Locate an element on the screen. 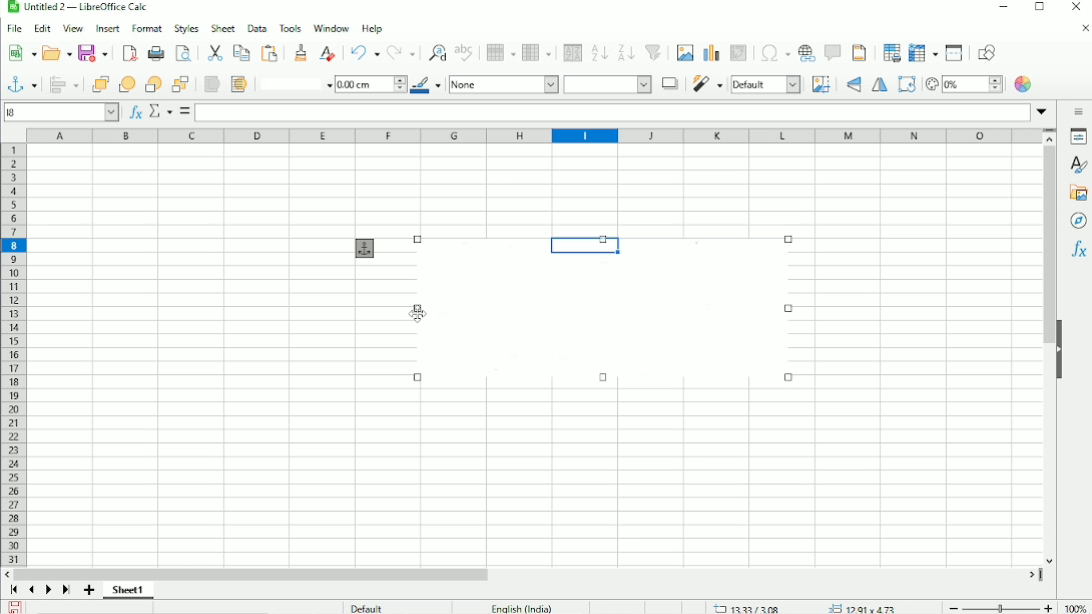 The image size is (1092, 614). Clone formatting is located at coordinates (302, 52).